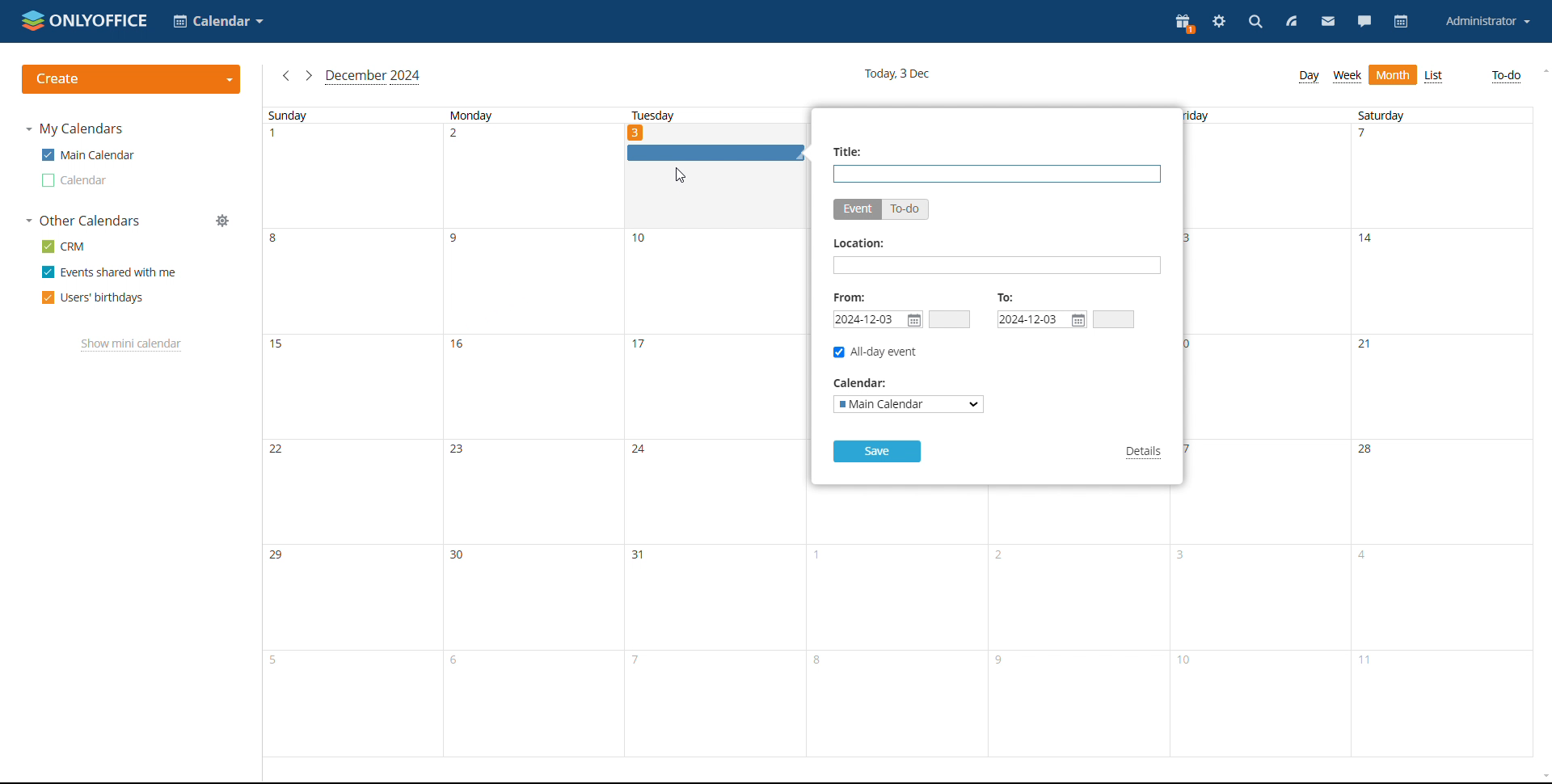 The width and height of the screenshot is (1552, 784). I want to click on add location, so click(997, 265).